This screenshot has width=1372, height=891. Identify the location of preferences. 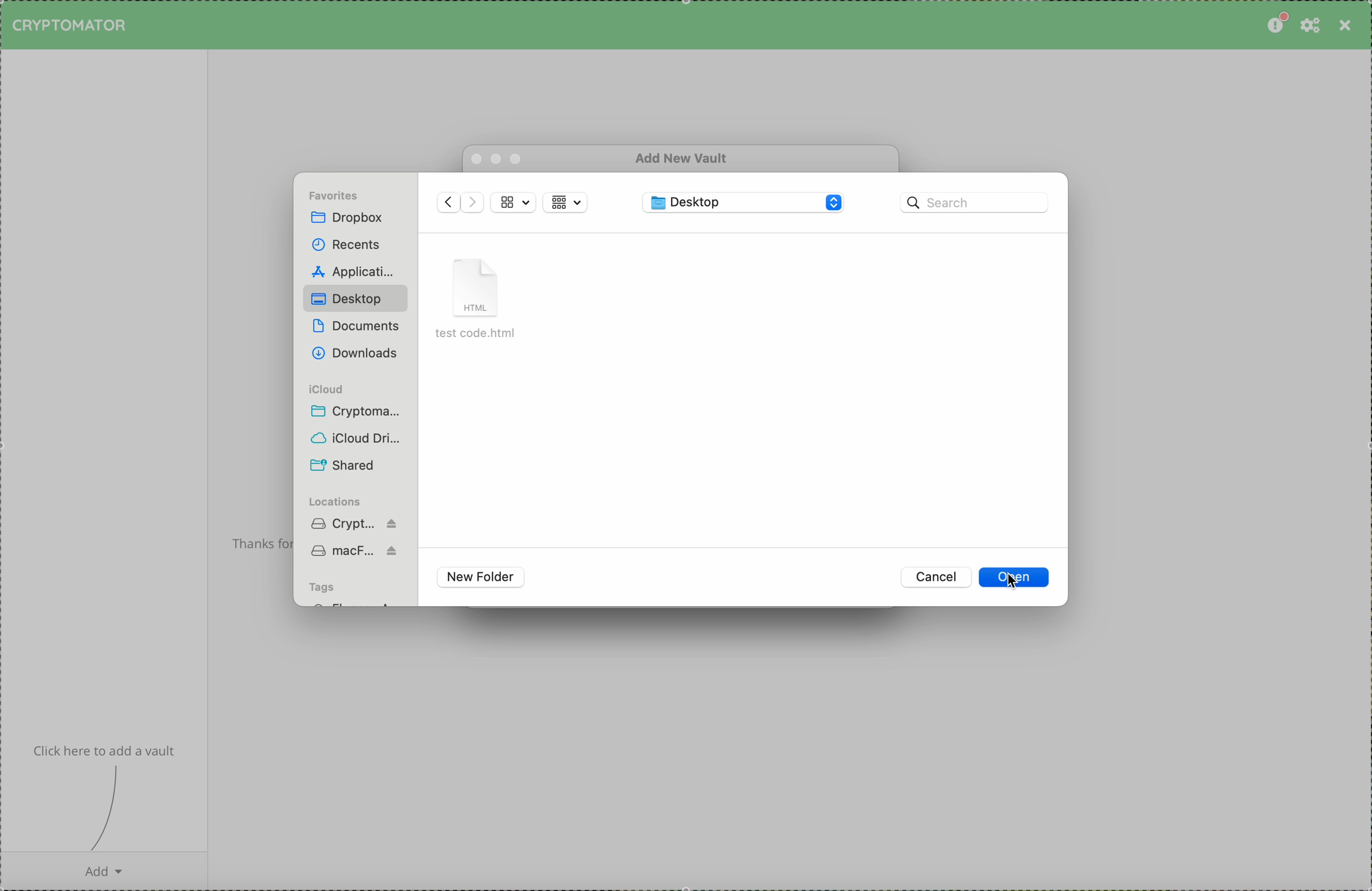
(1310, 25).